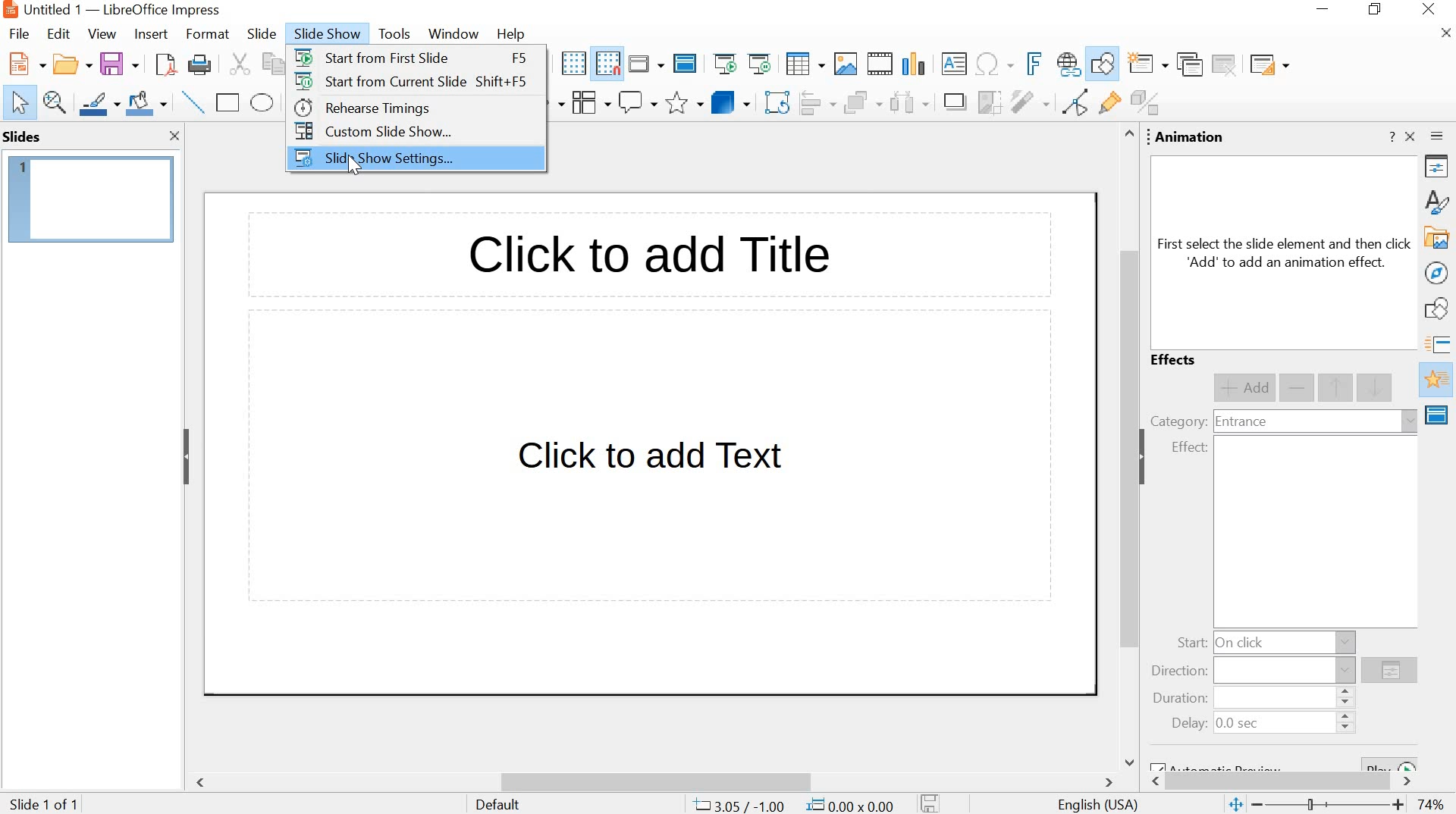  What do you see at coordinates (510, 34) in the screenshot?
I see `help menu` at bounding box center [510, 34].